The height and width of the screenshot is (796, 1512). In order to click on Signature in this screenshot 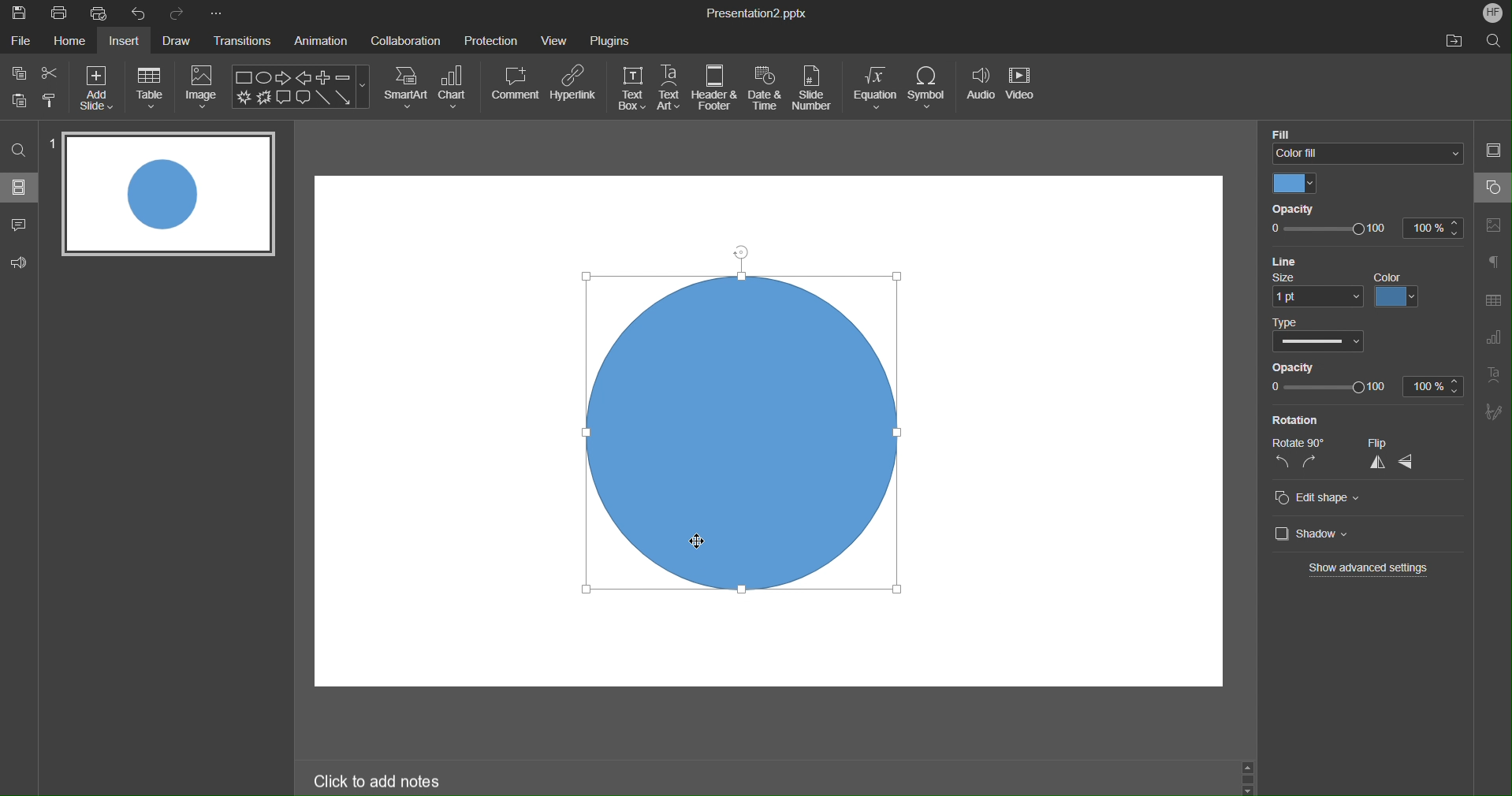, I will do `click(1494, 413)`.